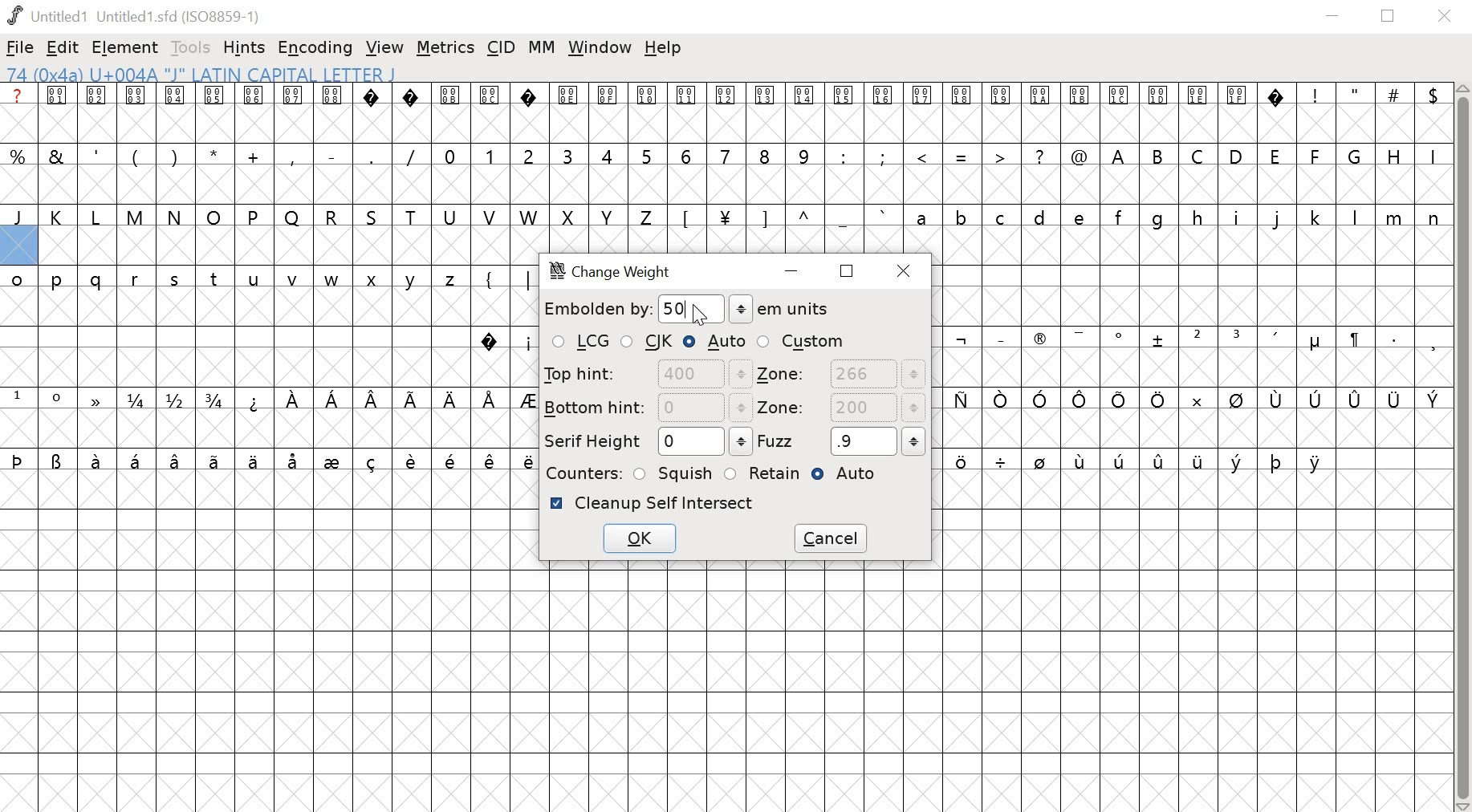 Image resolution: width=1472 pixels, height=812 pixels. What do you see at coordinates (907, 270) in the screenshot?
I see `close` at bounding box center [907, 270].